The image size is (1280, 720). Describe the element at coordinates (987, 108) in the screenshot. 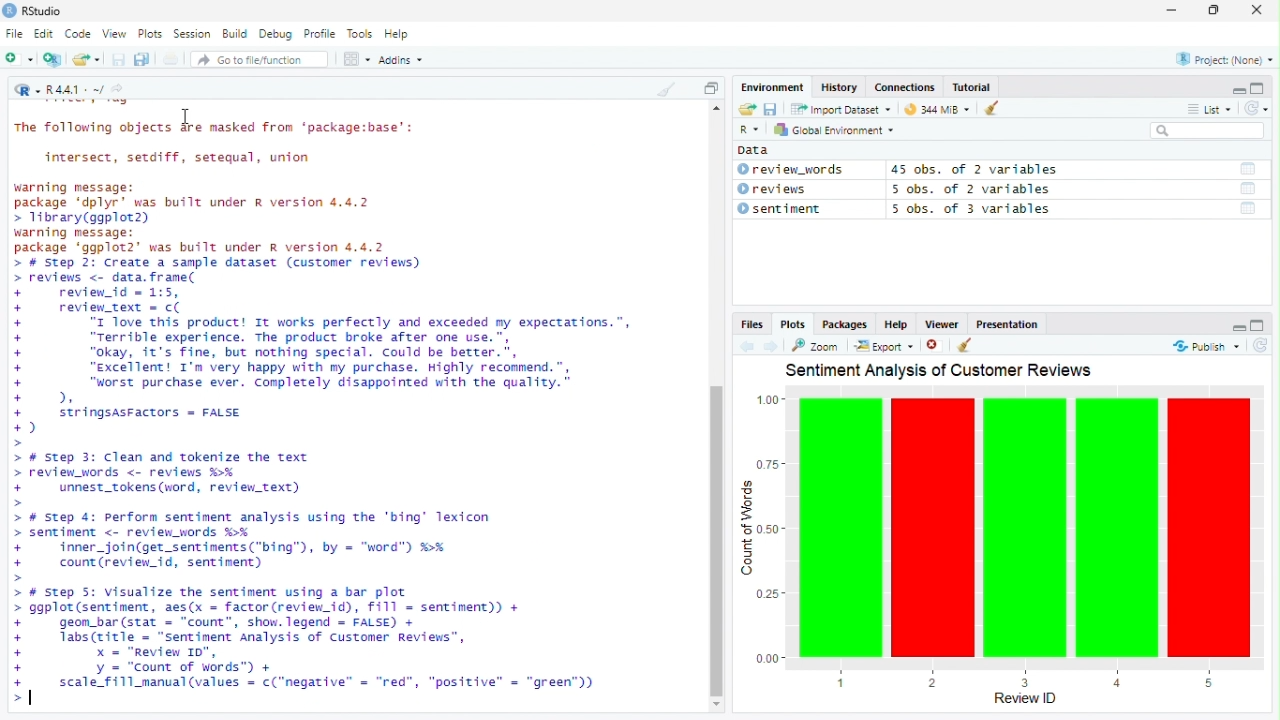

I see `Clean` at that location.